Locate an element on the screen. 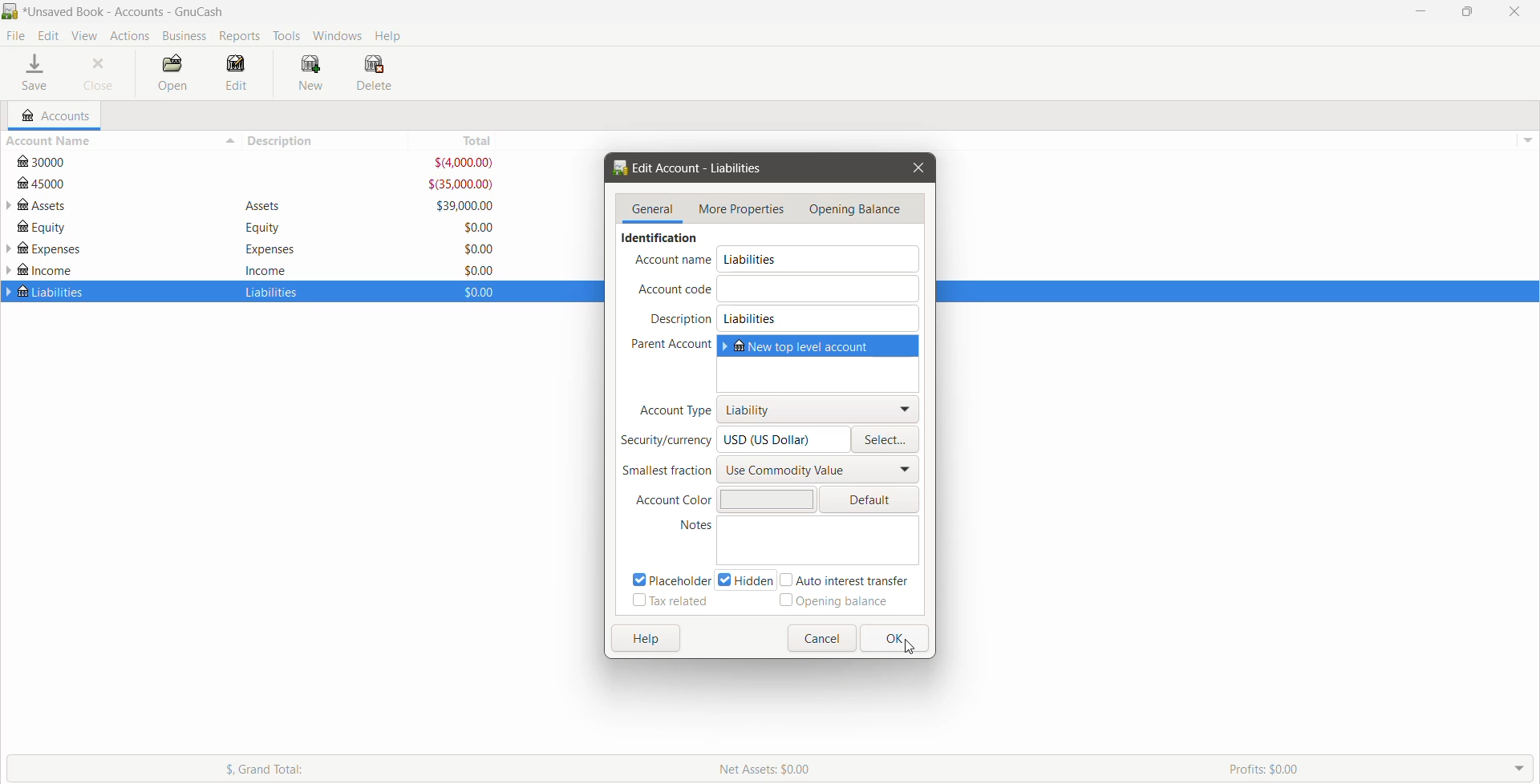 This screenshot has height=784, width=1540. Set Account type is located at coordinates (819, 409).